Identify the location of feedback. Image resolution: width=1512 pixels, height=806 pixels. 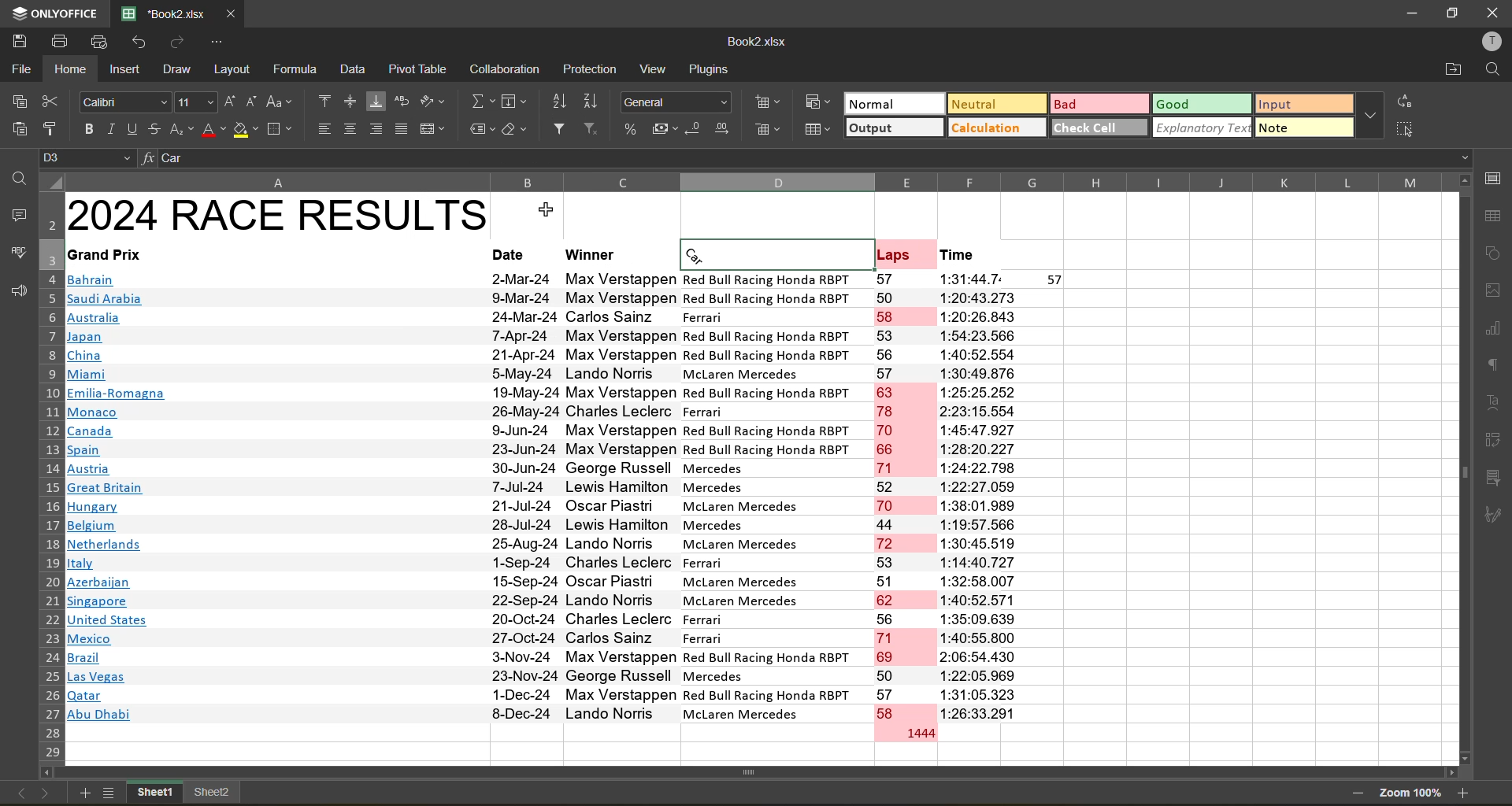
(16, 292).